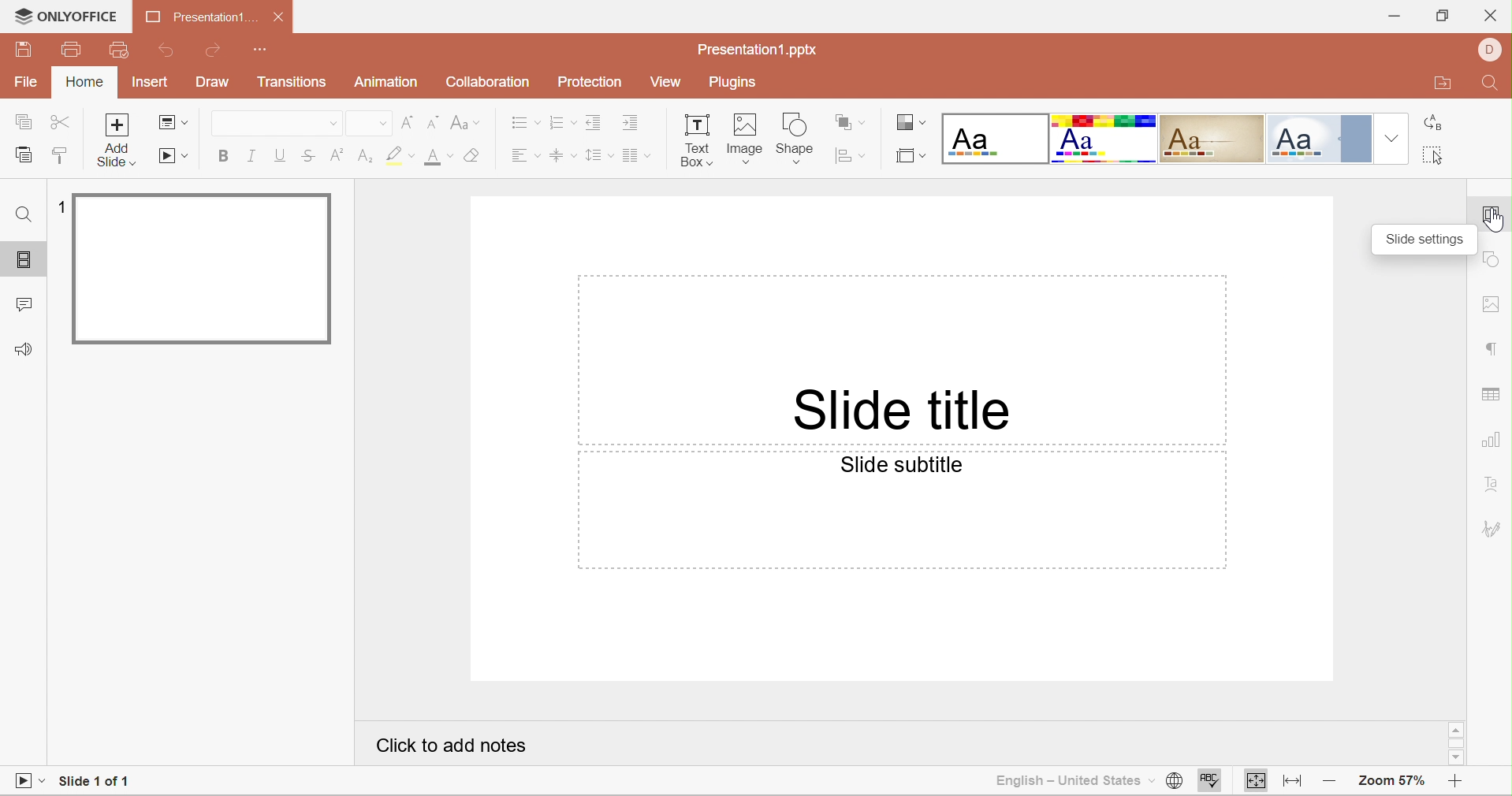 The height and width of the screenshot is (796, 1512). Describe the element at coordinates (1173, 780) in the screenshot. I see `Set document language` at that location.